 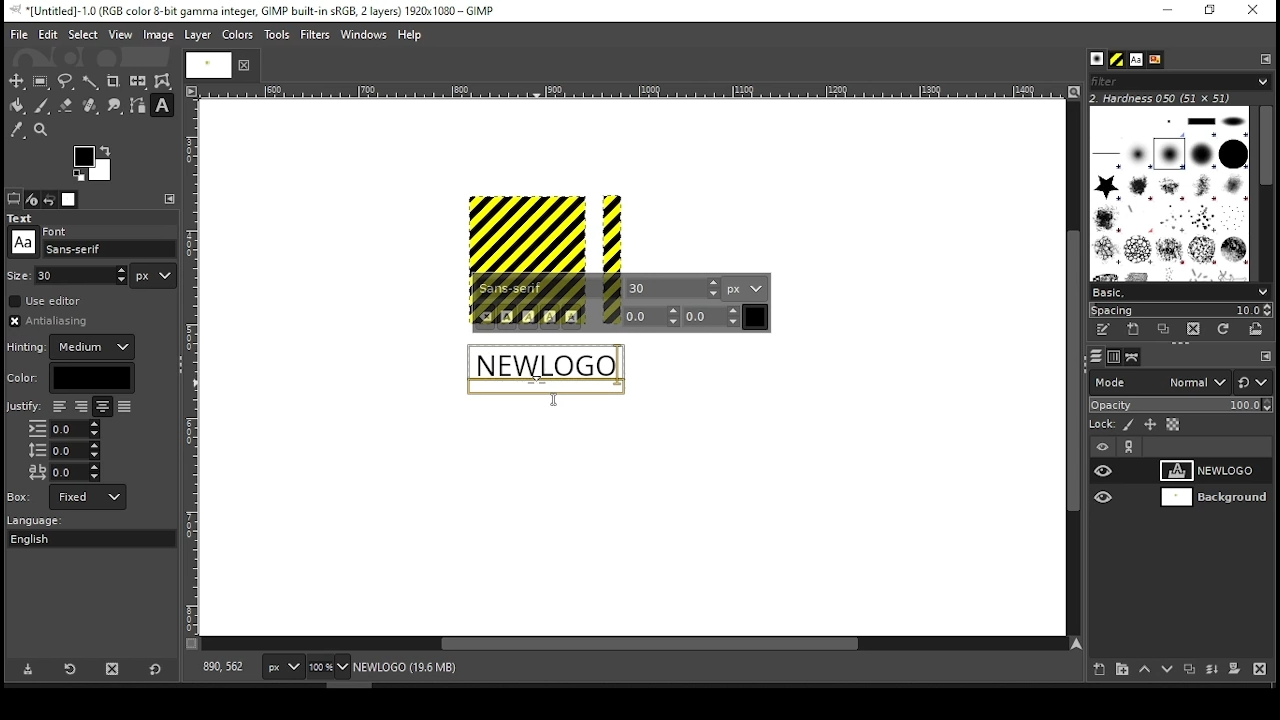 What do you see at coordinates (1252, 384) in the screenshot?
I see `switch to other mode groups` at bounding box center [1252, 384].